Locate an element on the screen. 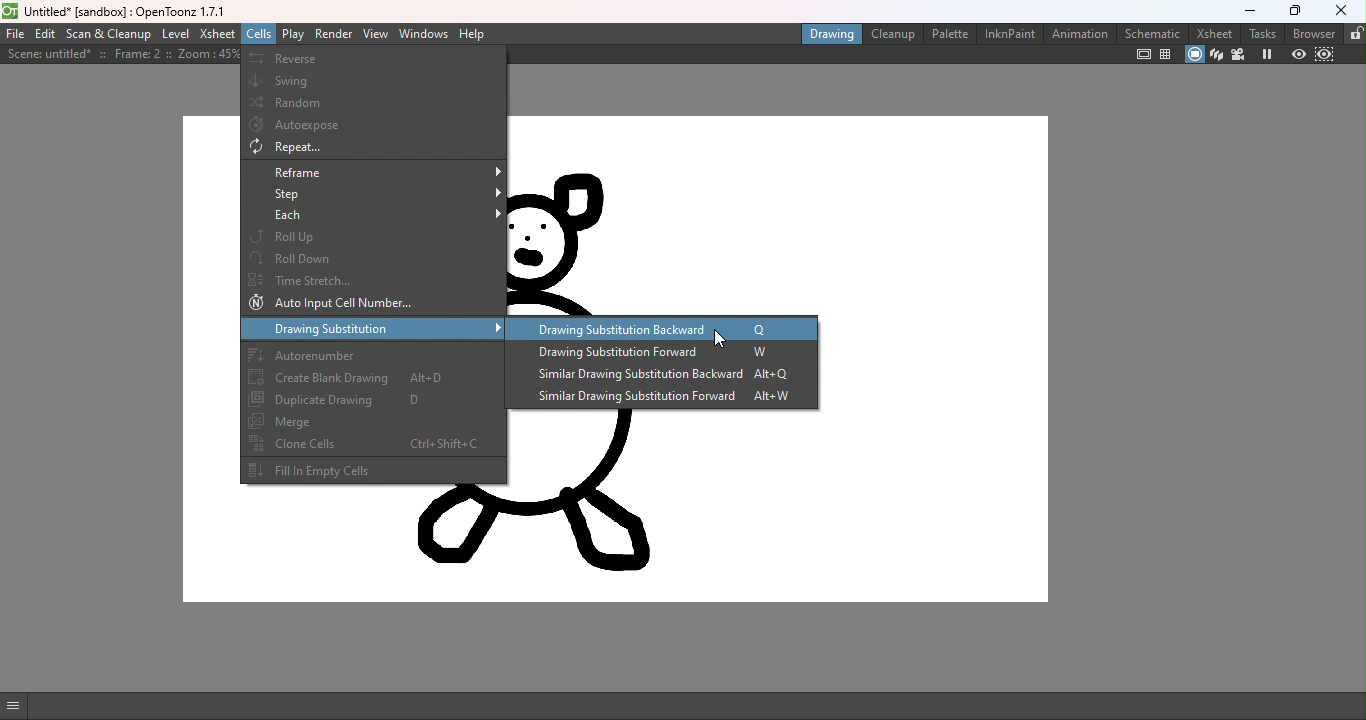 The image size is (1366, 720). Windows is located at coordinates (425, 34).